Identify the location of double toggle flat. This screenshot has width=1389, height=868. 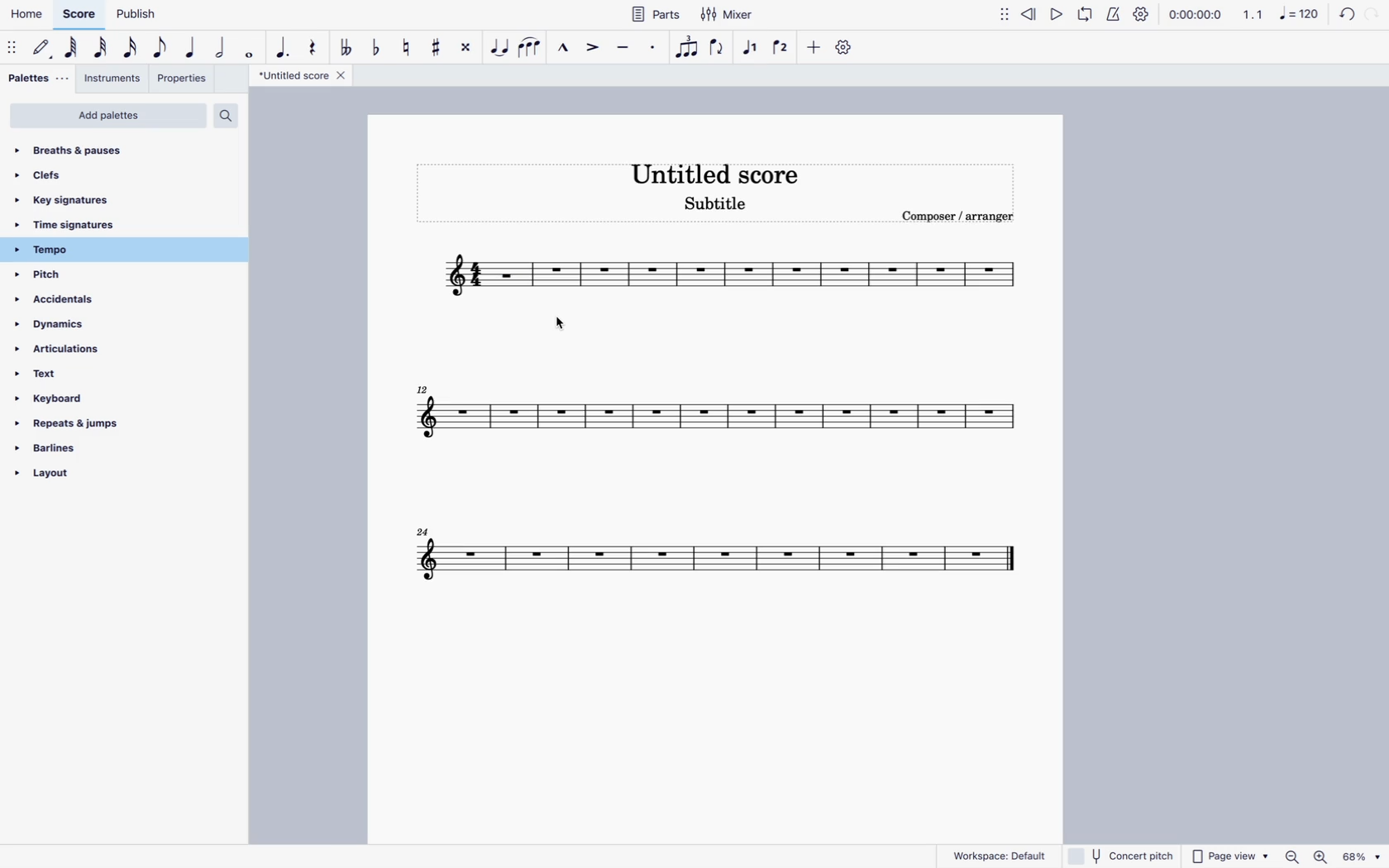
(346, 44).